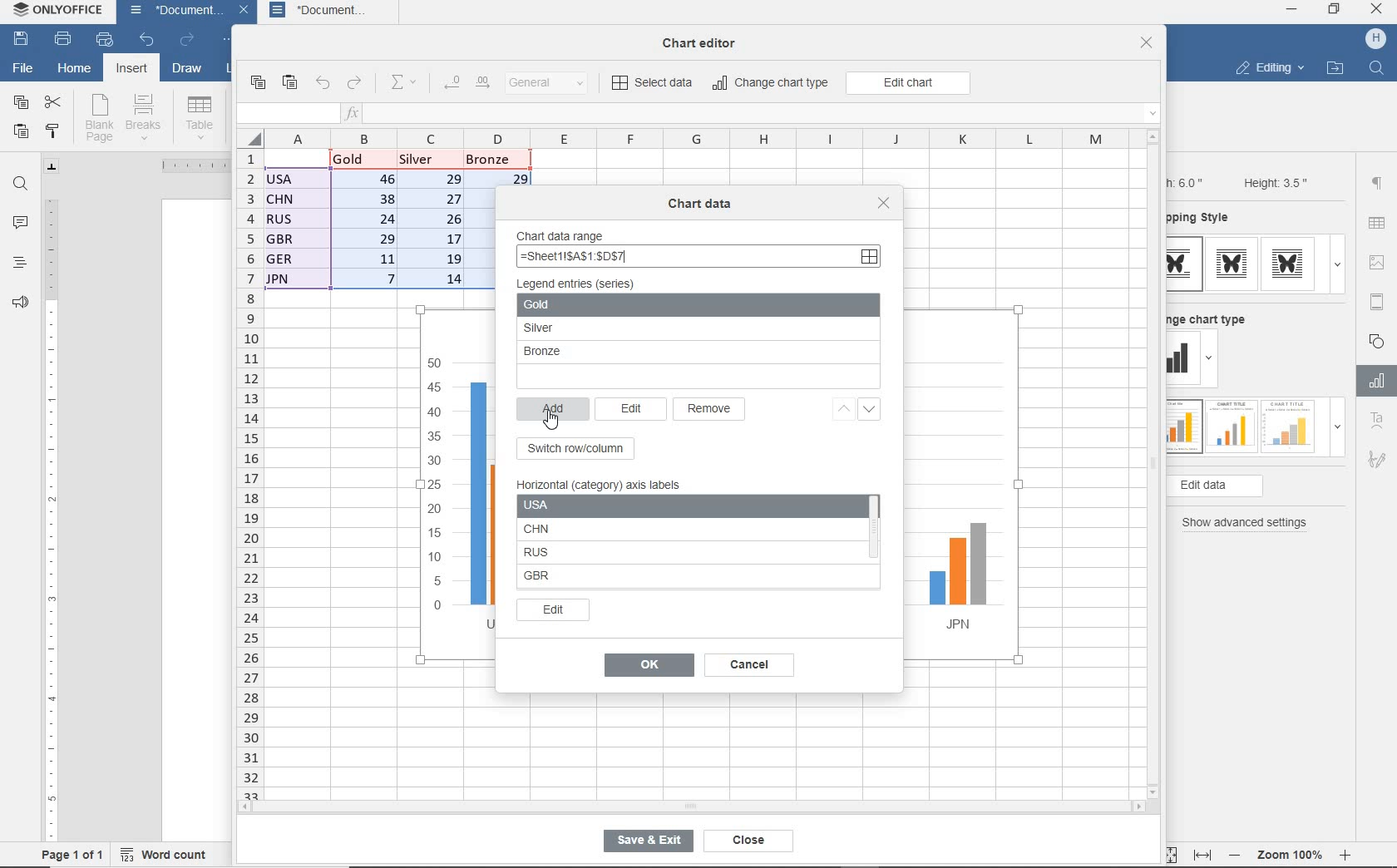  What do you see at coordinates (322, 84) in the screenshot?
I see `undo` at bounding box center [322, 84].